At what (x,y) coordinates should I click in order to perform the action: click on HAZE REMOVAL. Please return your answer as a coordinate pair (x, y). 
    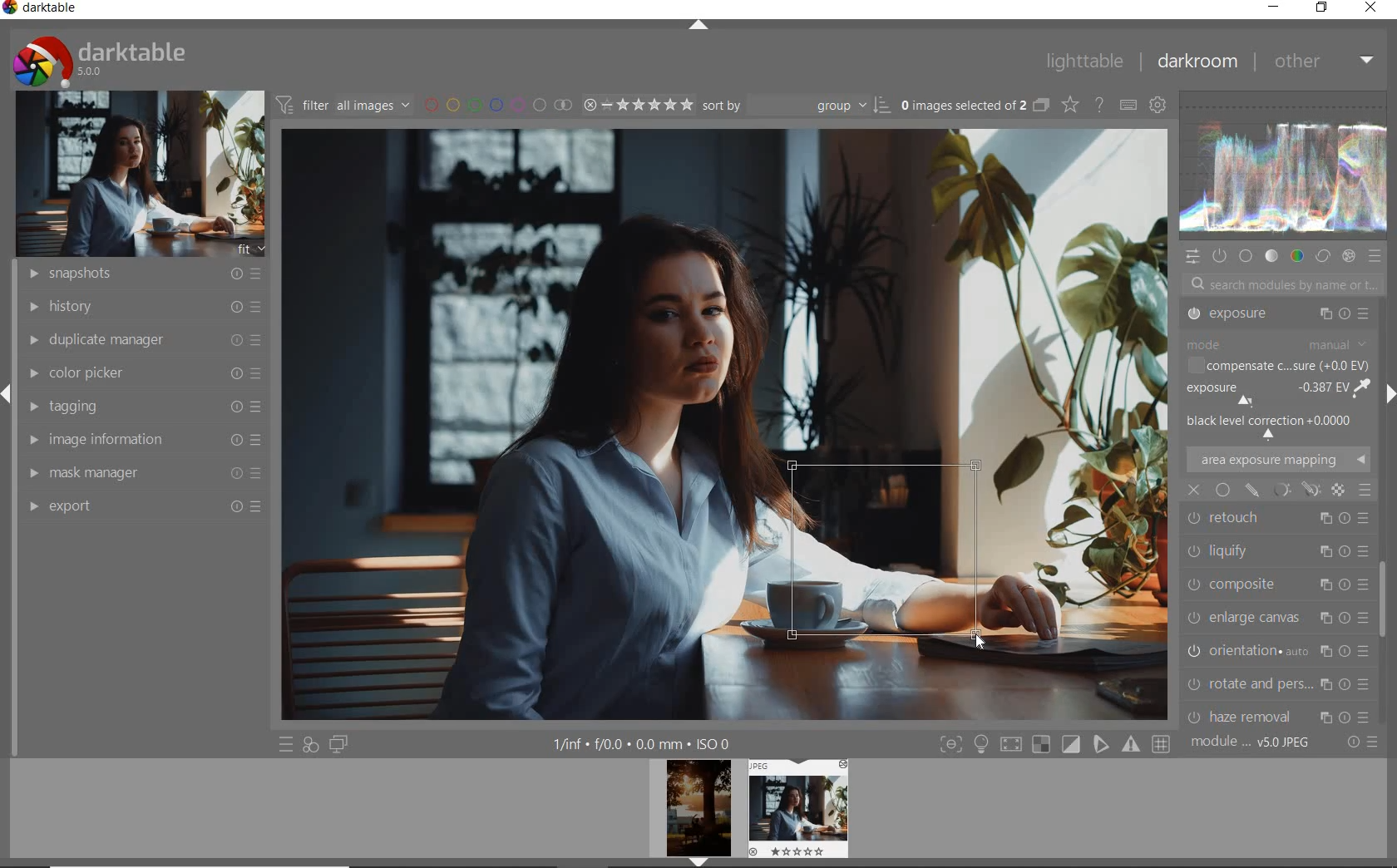
    Looking at the image, I should click on (1278, 614).